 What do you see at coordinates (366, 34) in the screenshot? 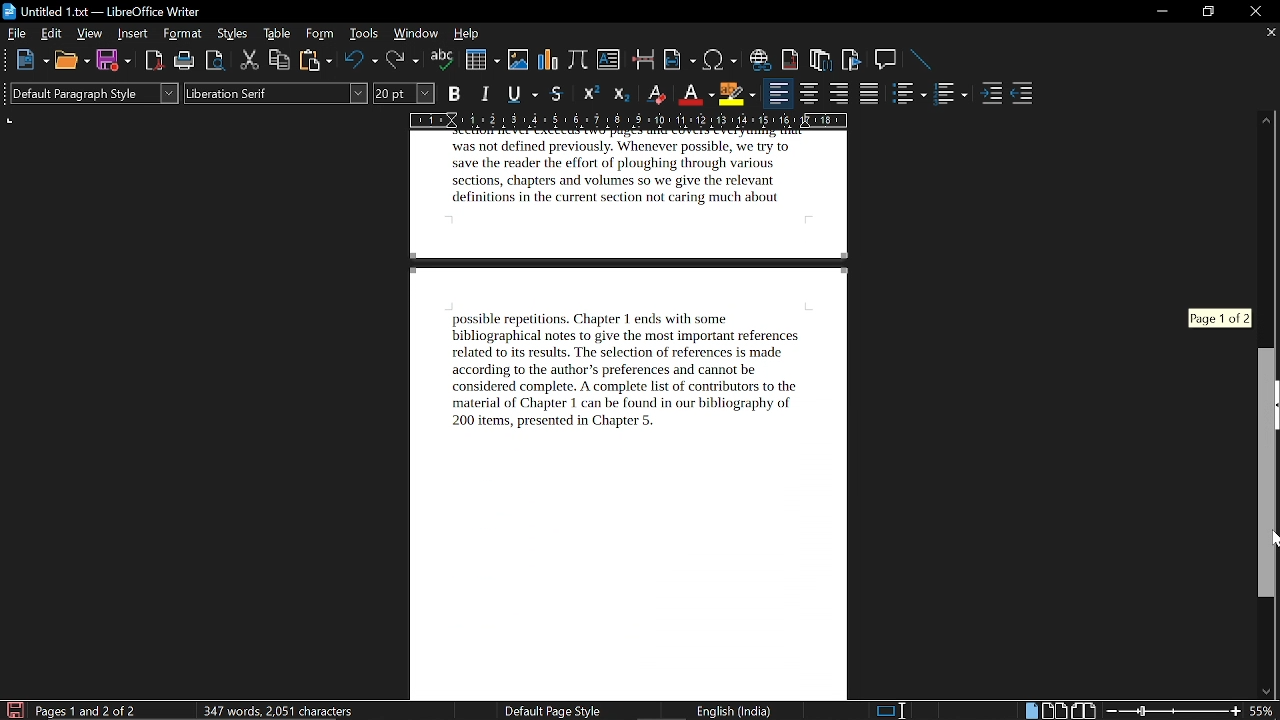
I see `tools` at bounding box center [366, 34].